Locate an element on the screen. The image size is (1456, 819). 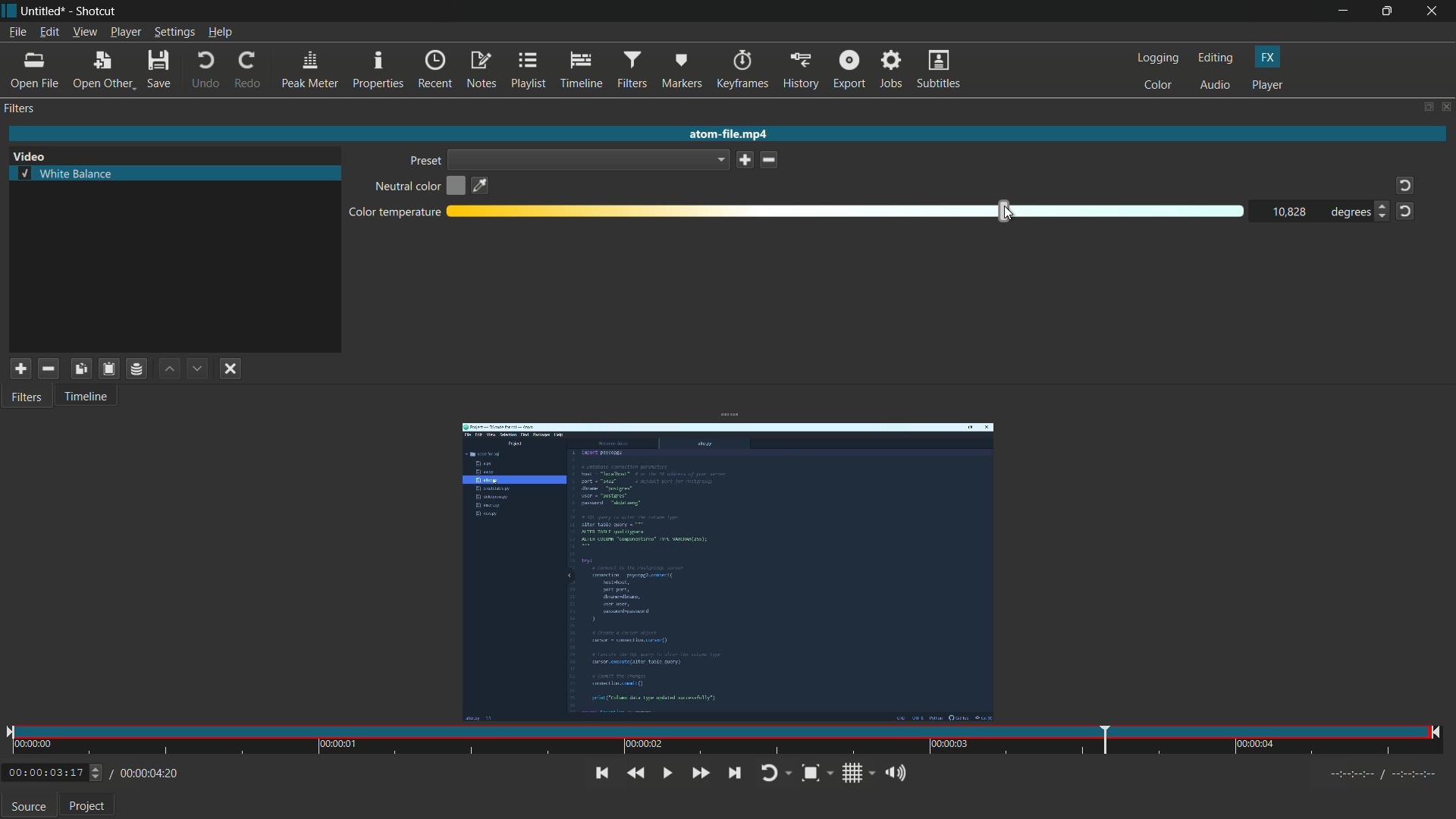
notes is located at coordinates (481, 71).